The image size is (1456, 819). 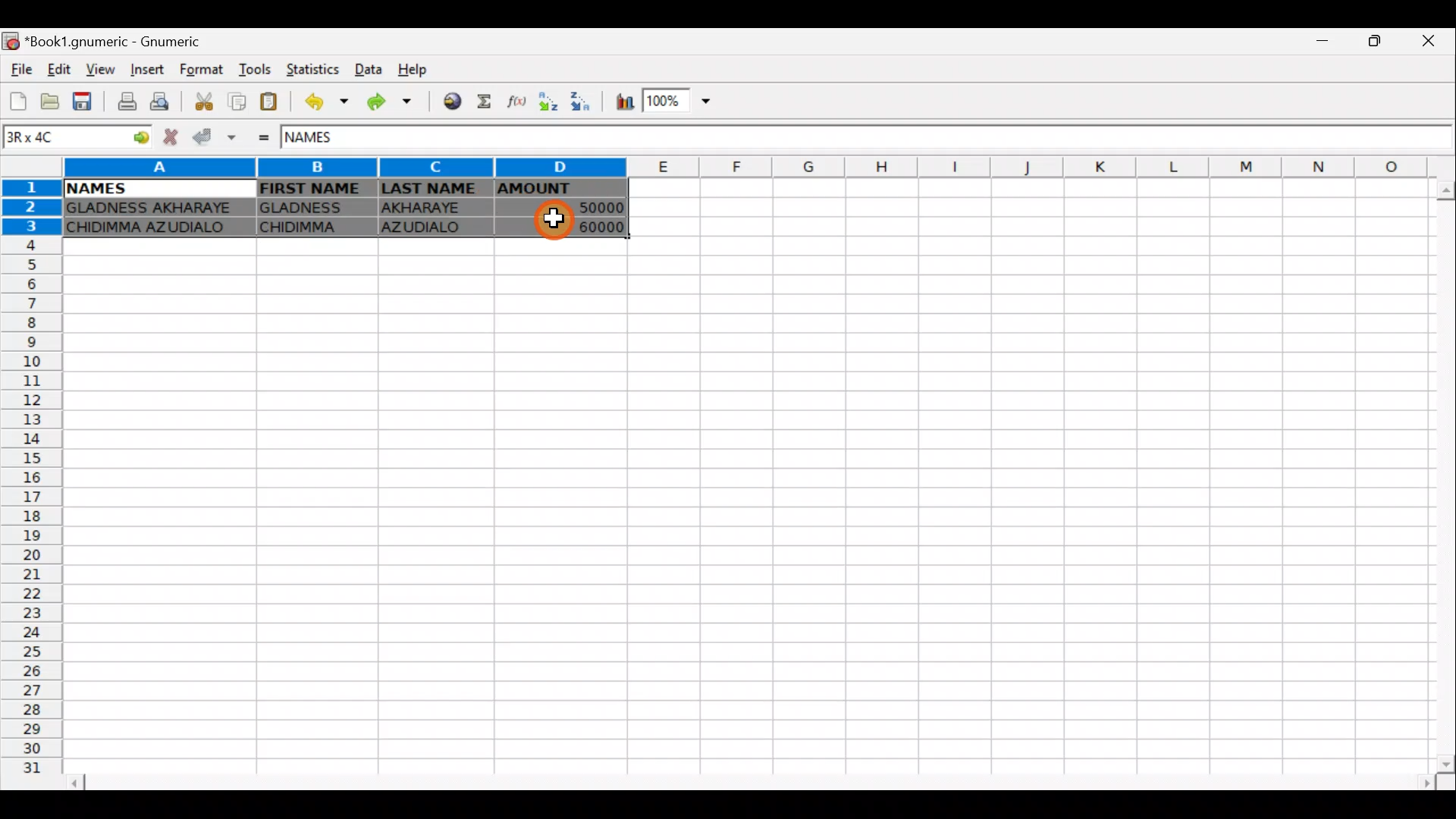 I want to click on Insert, so click(x=150, y=69).